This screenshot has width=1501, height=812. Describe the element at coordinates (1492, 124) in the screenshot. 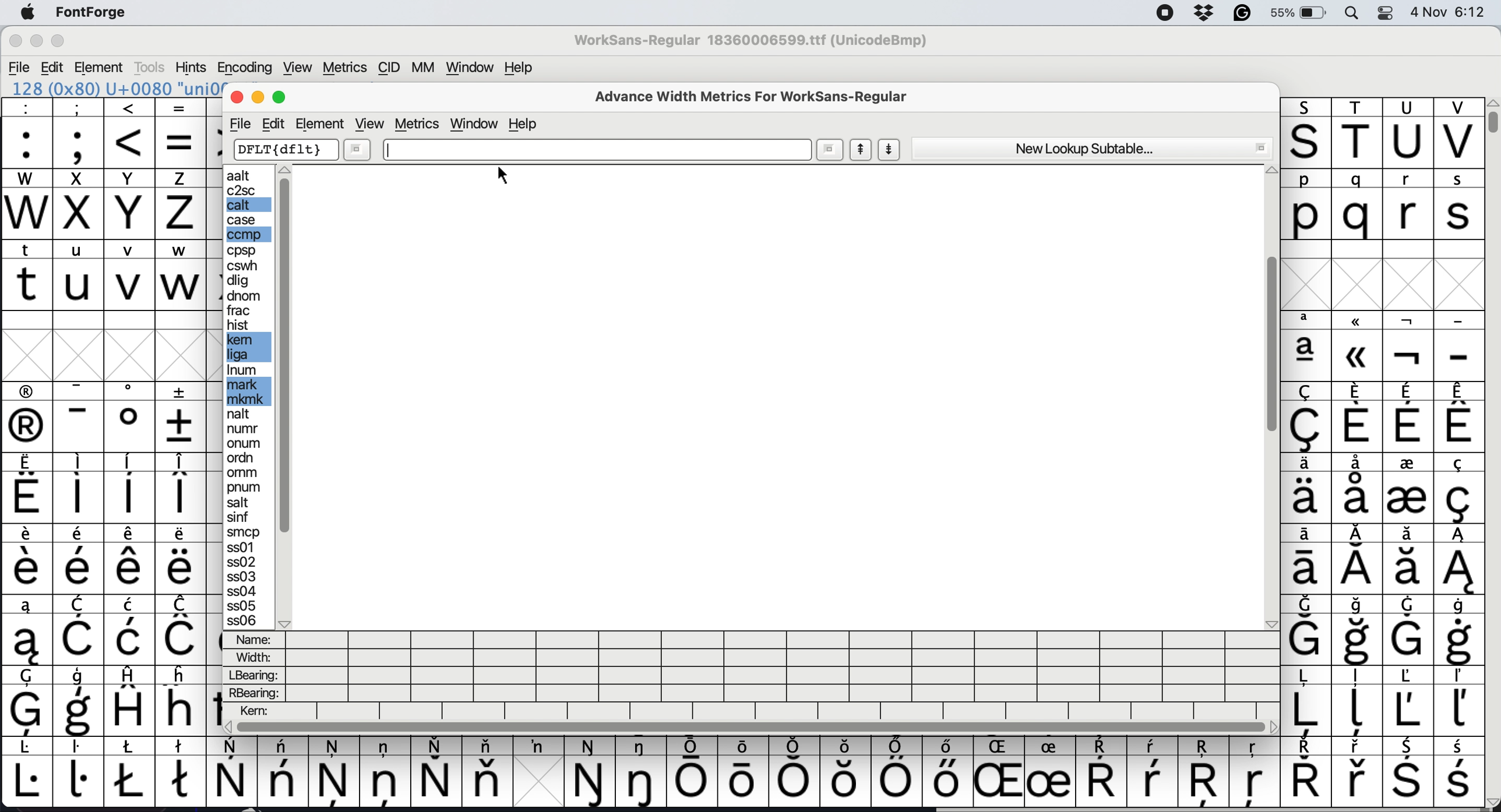

I see `vertical scroll` at that location.